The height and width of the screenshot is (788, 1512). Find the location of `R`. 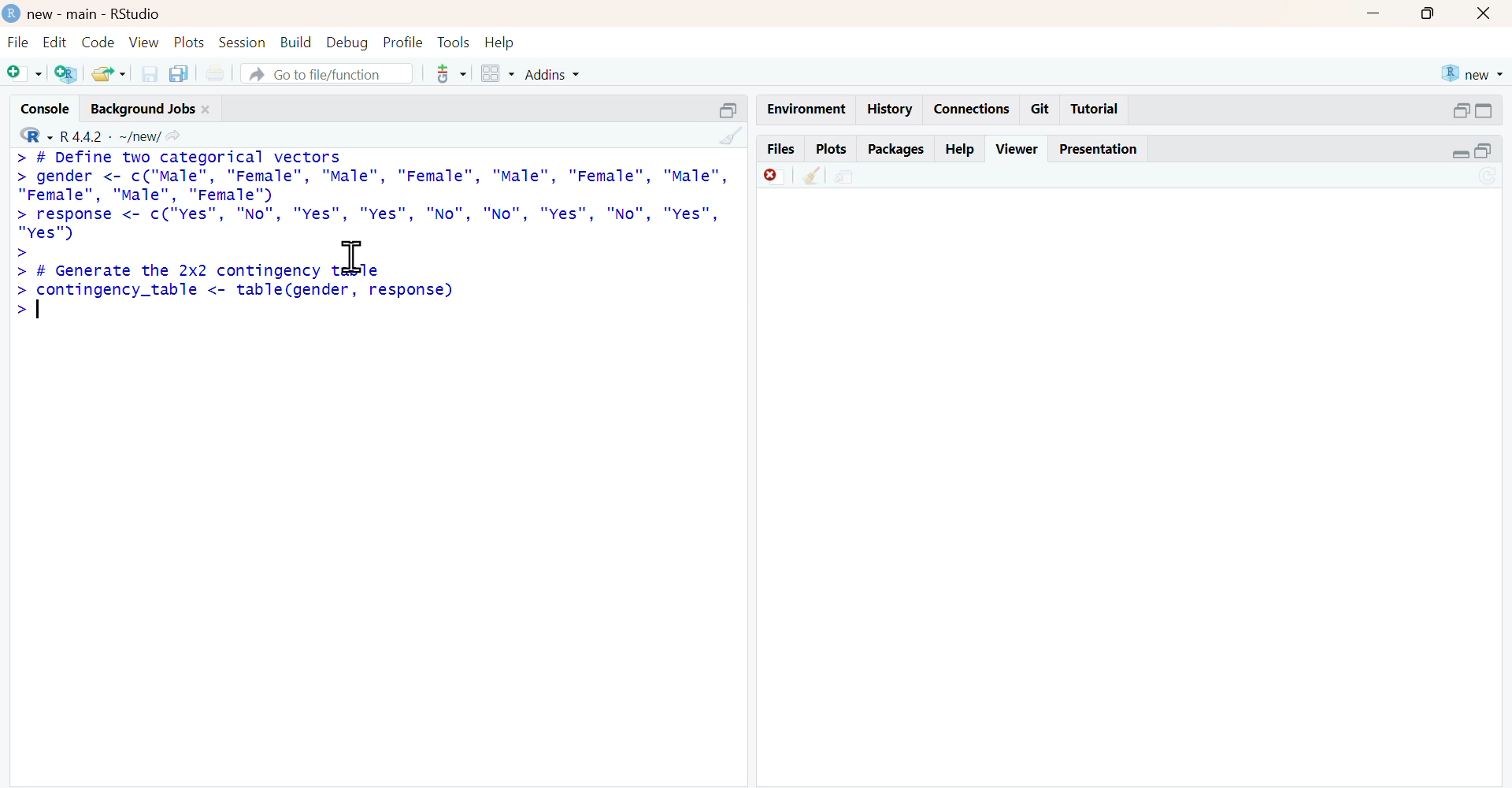

R is located at coordinates (37, 135).